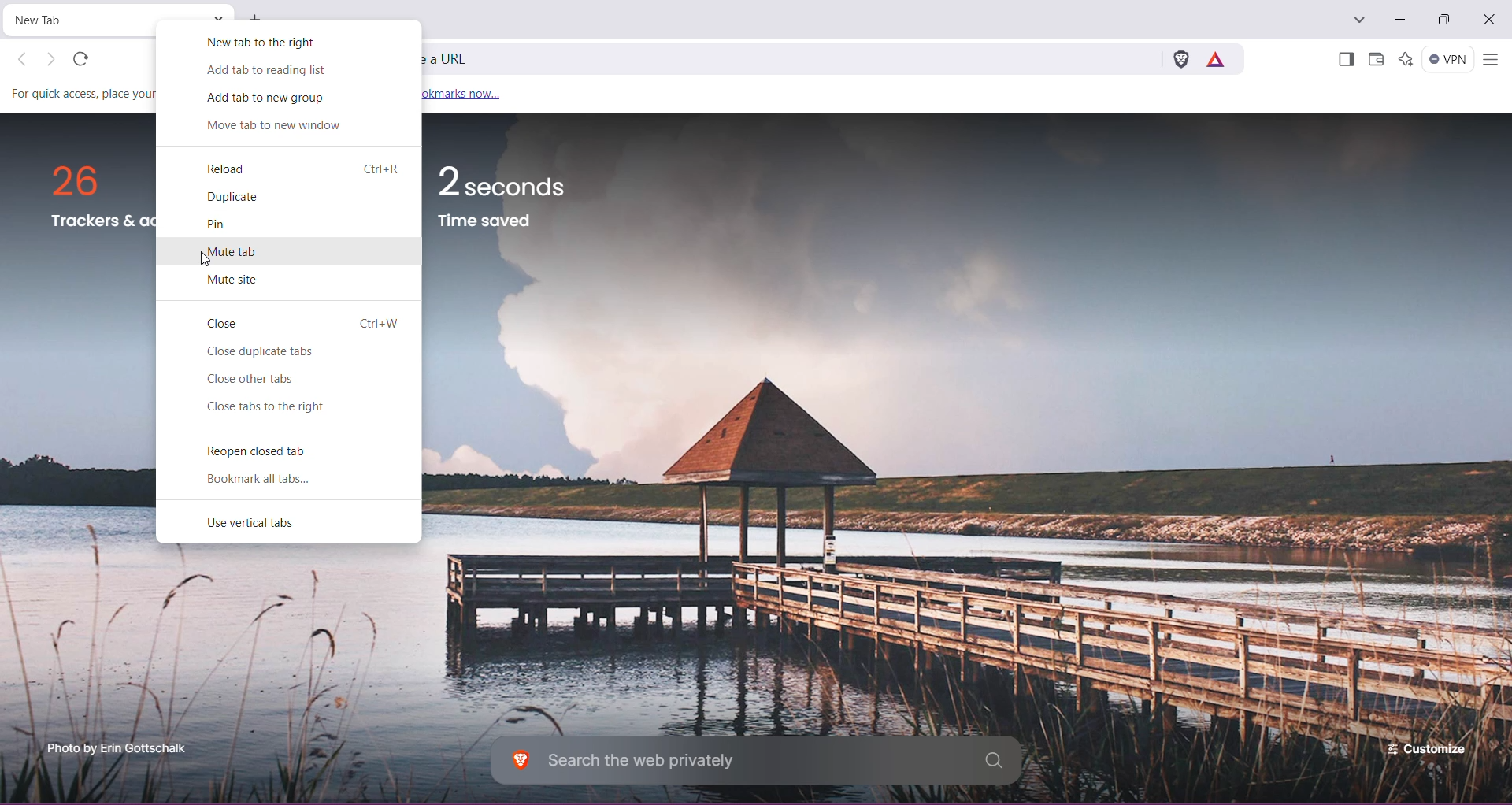 This screenshot has height=805, width=1512. What do you see at coordinates (260, 523) in the screenshot?
I see `Use vertical tabs` at bounding box center [260, 523].